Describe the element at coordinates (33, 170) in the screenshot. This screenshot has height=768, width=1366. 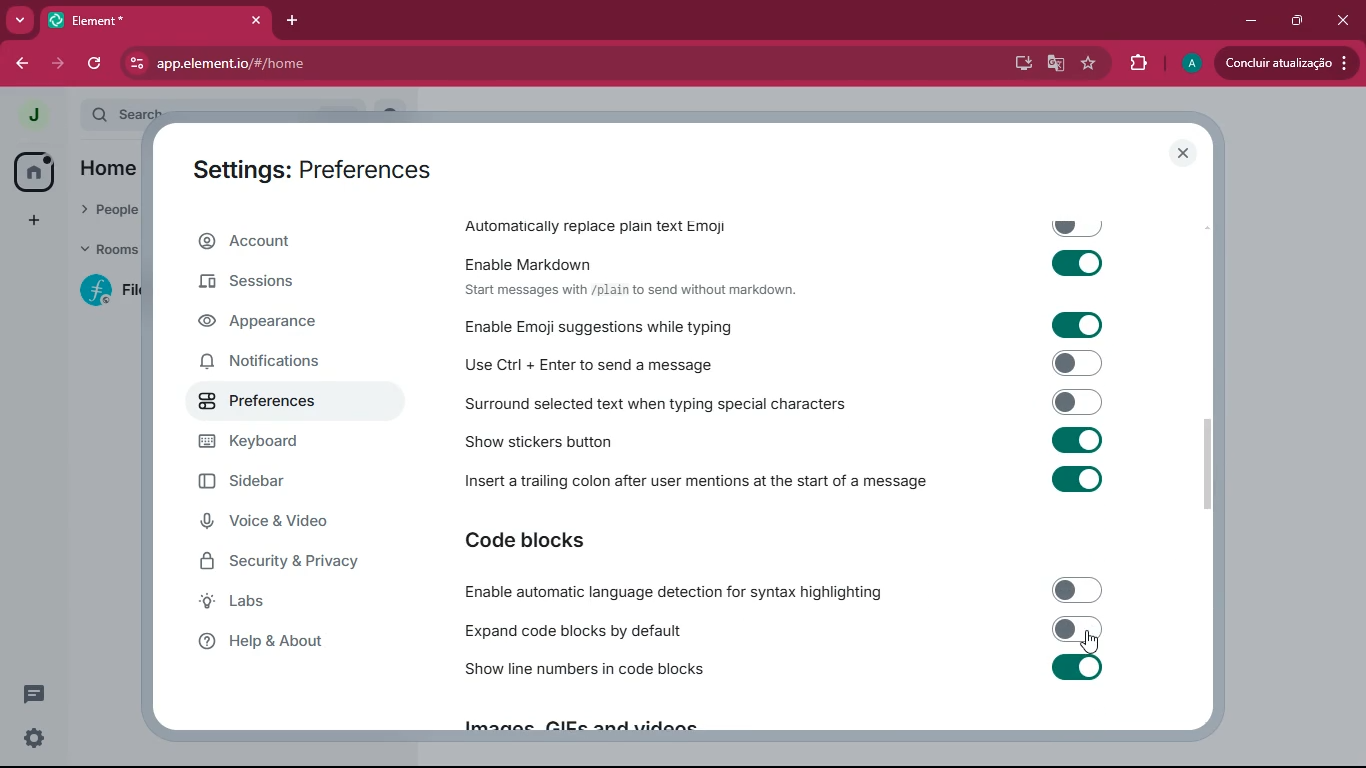
I see `home` at that location.